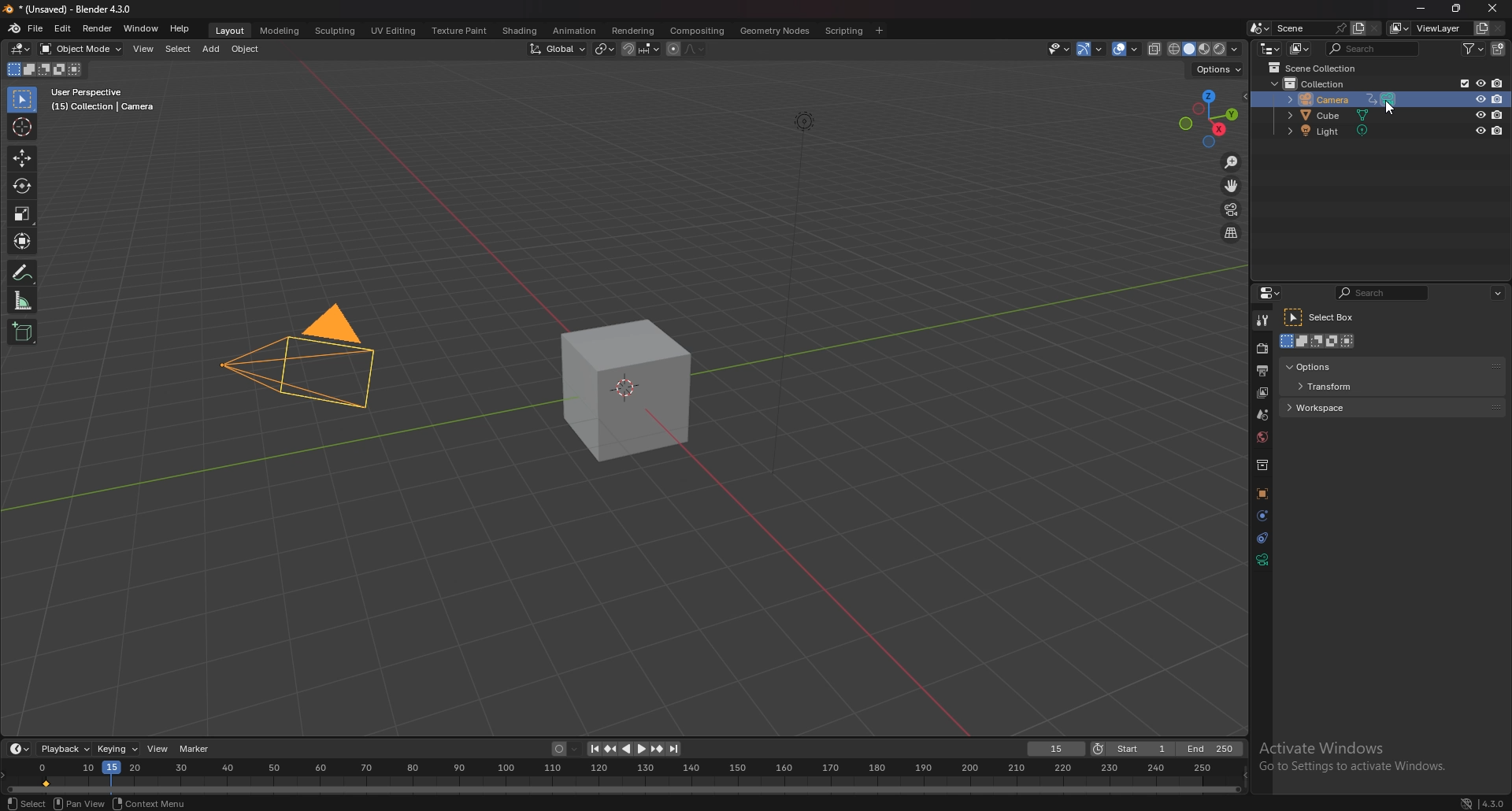 This screenshot has width=1512, height=811. I want to click on uv editing, so click(393, 31).